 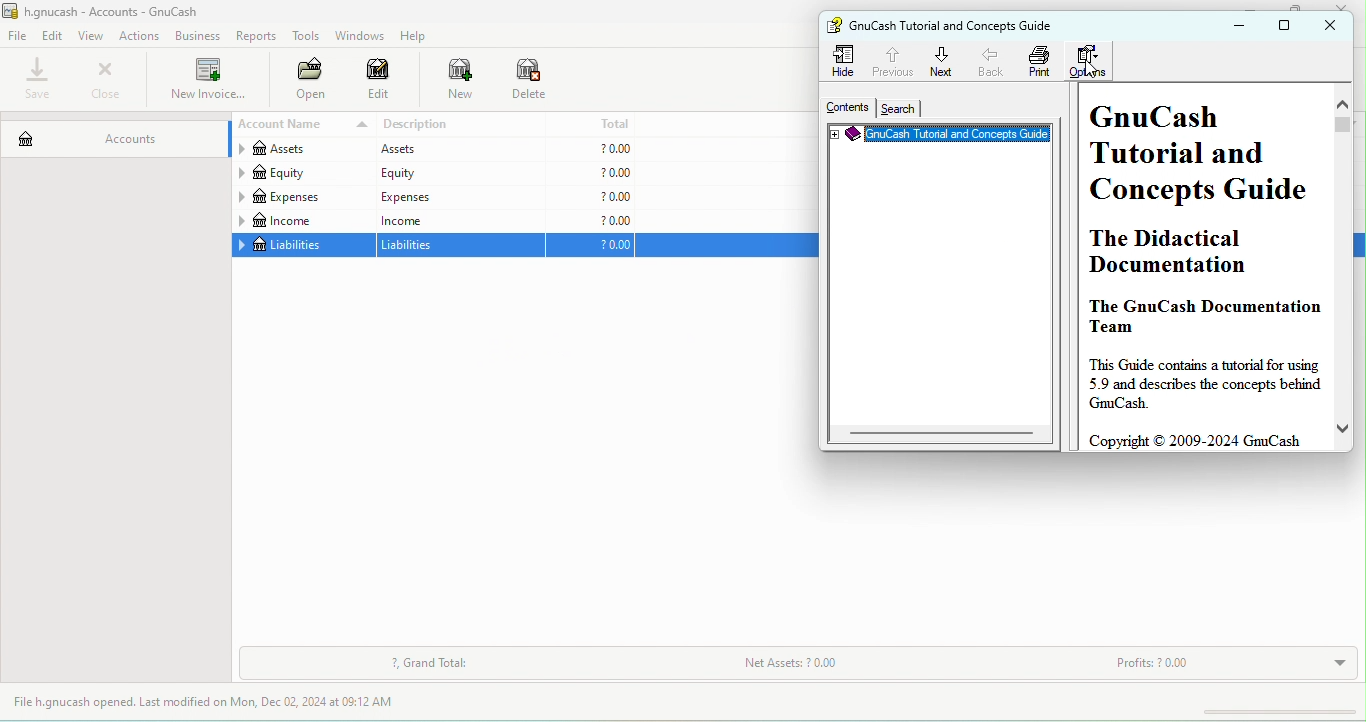 I want to click on previous, so click(x=891, y=59).